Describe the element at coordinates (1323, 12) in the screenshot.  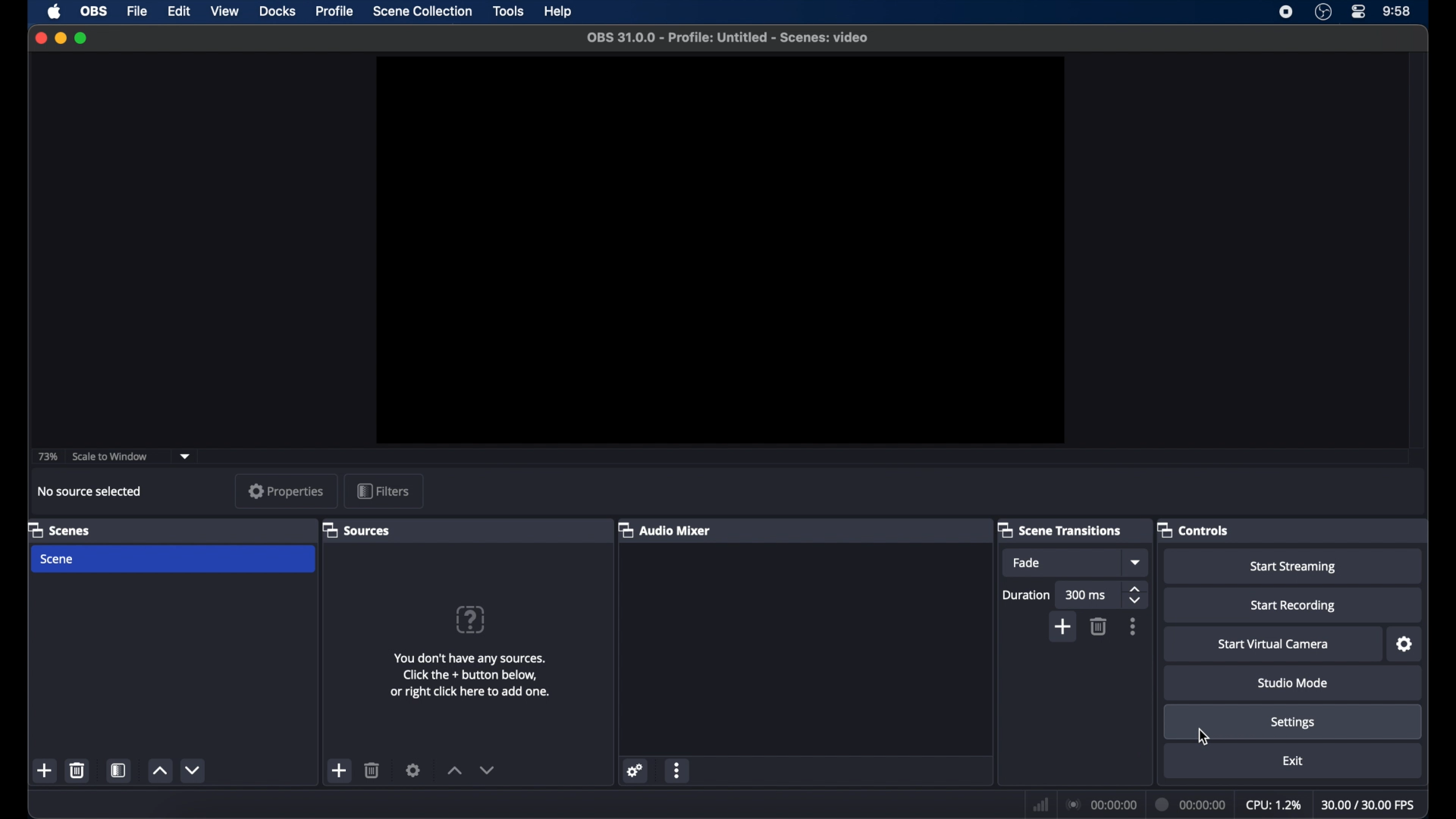
I see `obs studio` at that location.